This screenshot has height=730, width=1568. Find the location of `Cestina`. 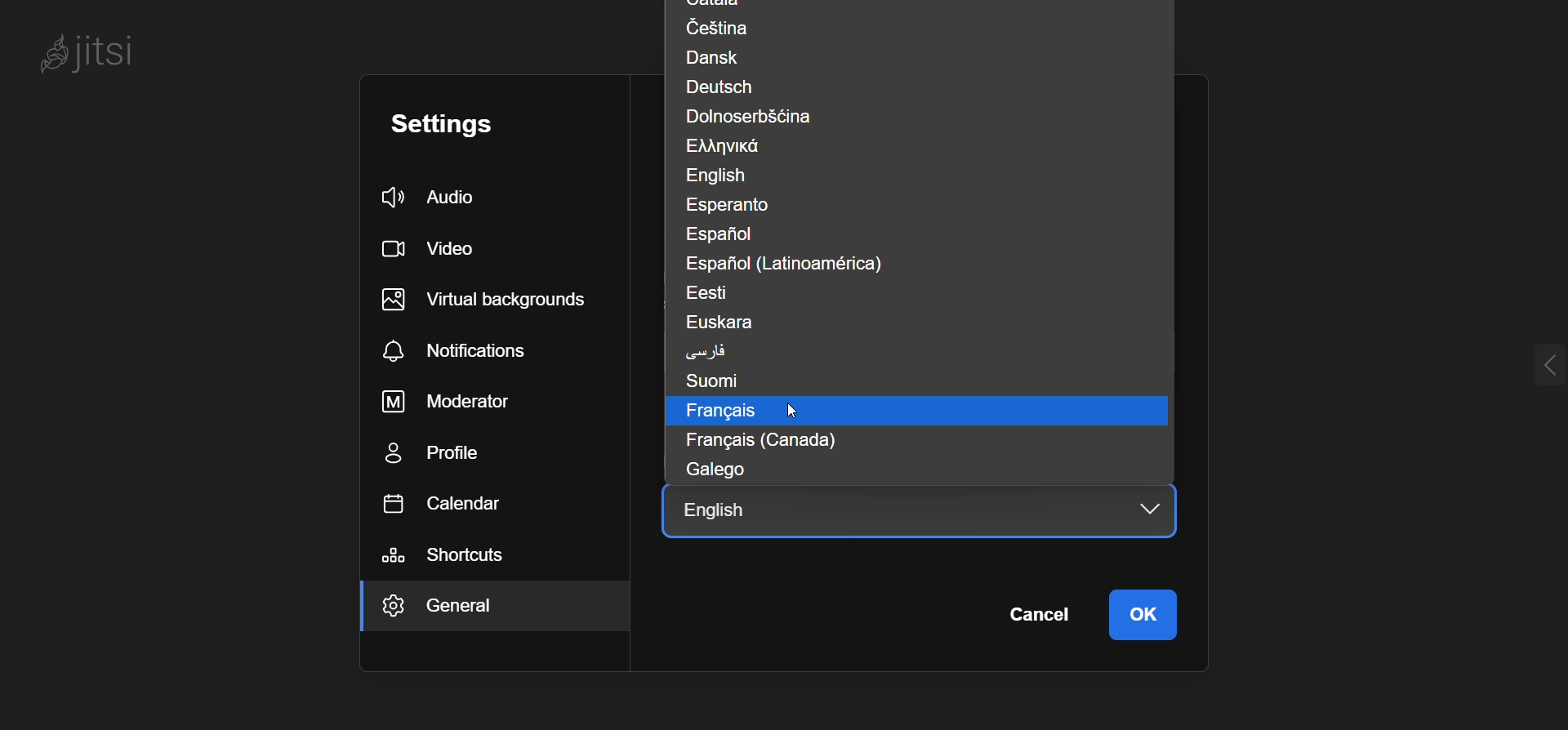

Cestina is located at coordinates (715, 27).